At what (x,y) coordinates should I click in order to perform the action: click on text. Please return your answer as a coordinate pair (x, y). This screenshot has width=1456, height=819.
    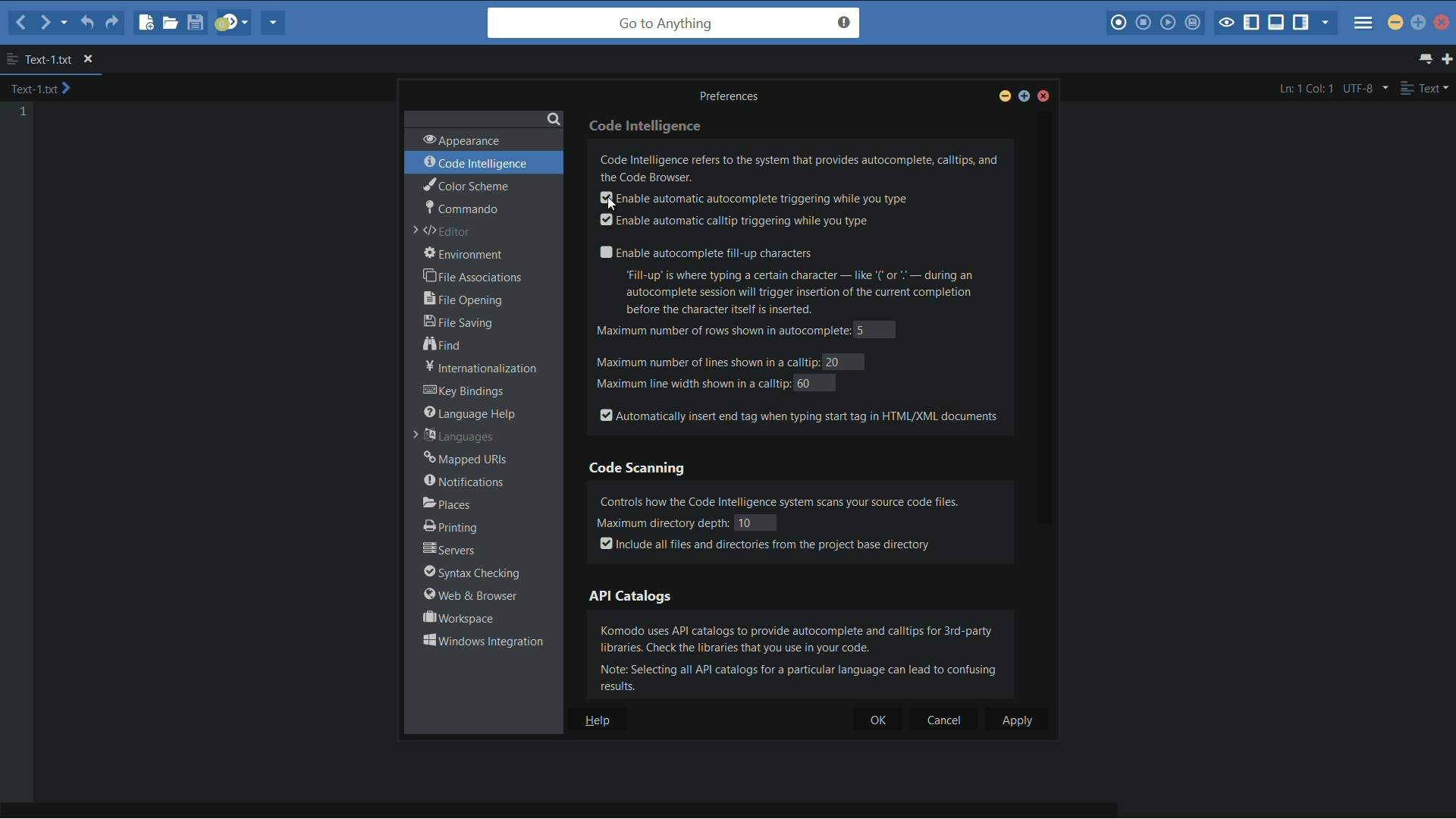
    Looking at the image, I should click on (1424, 88).